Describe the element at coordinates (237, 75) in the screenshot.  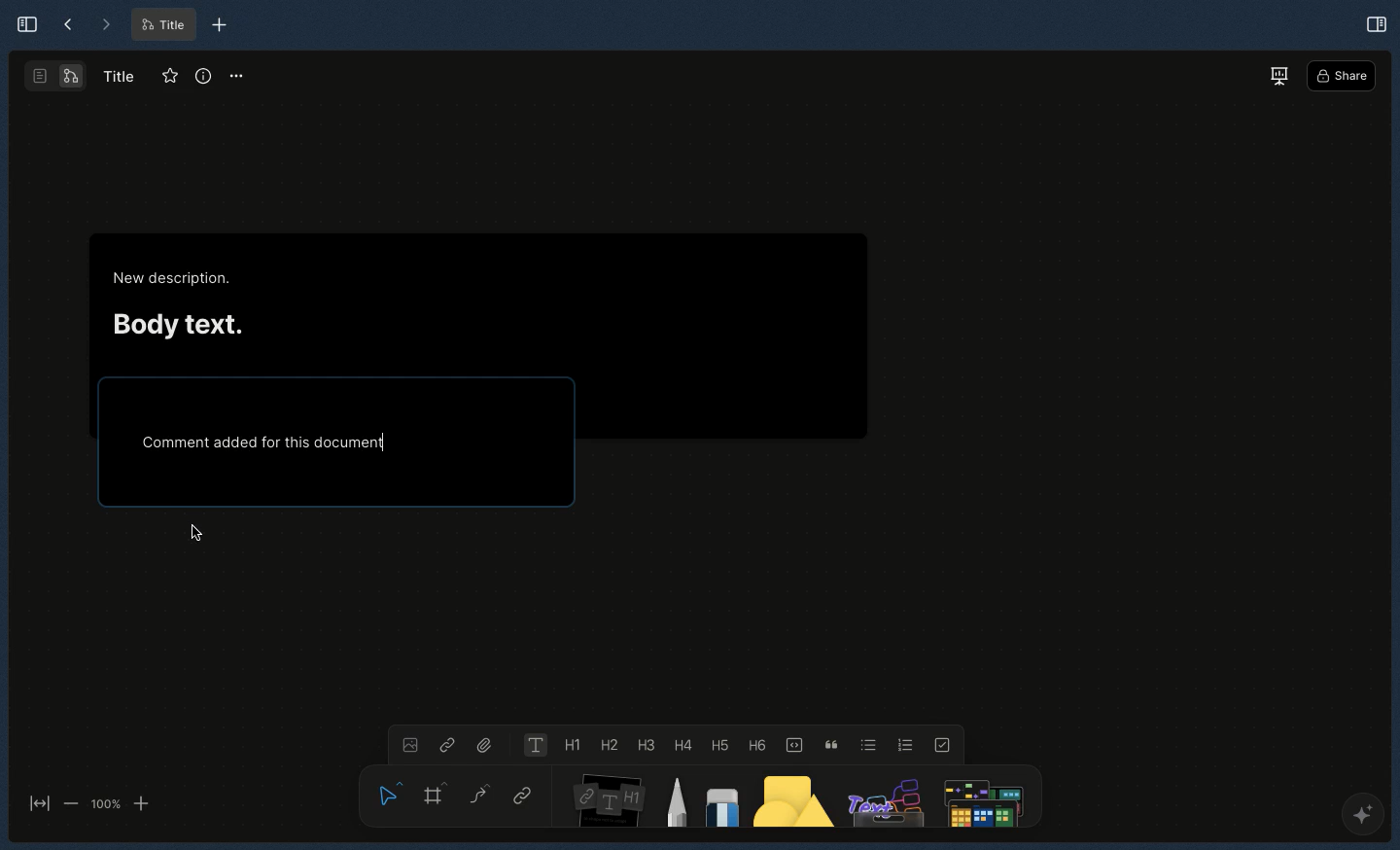
I see `Options` at that location.